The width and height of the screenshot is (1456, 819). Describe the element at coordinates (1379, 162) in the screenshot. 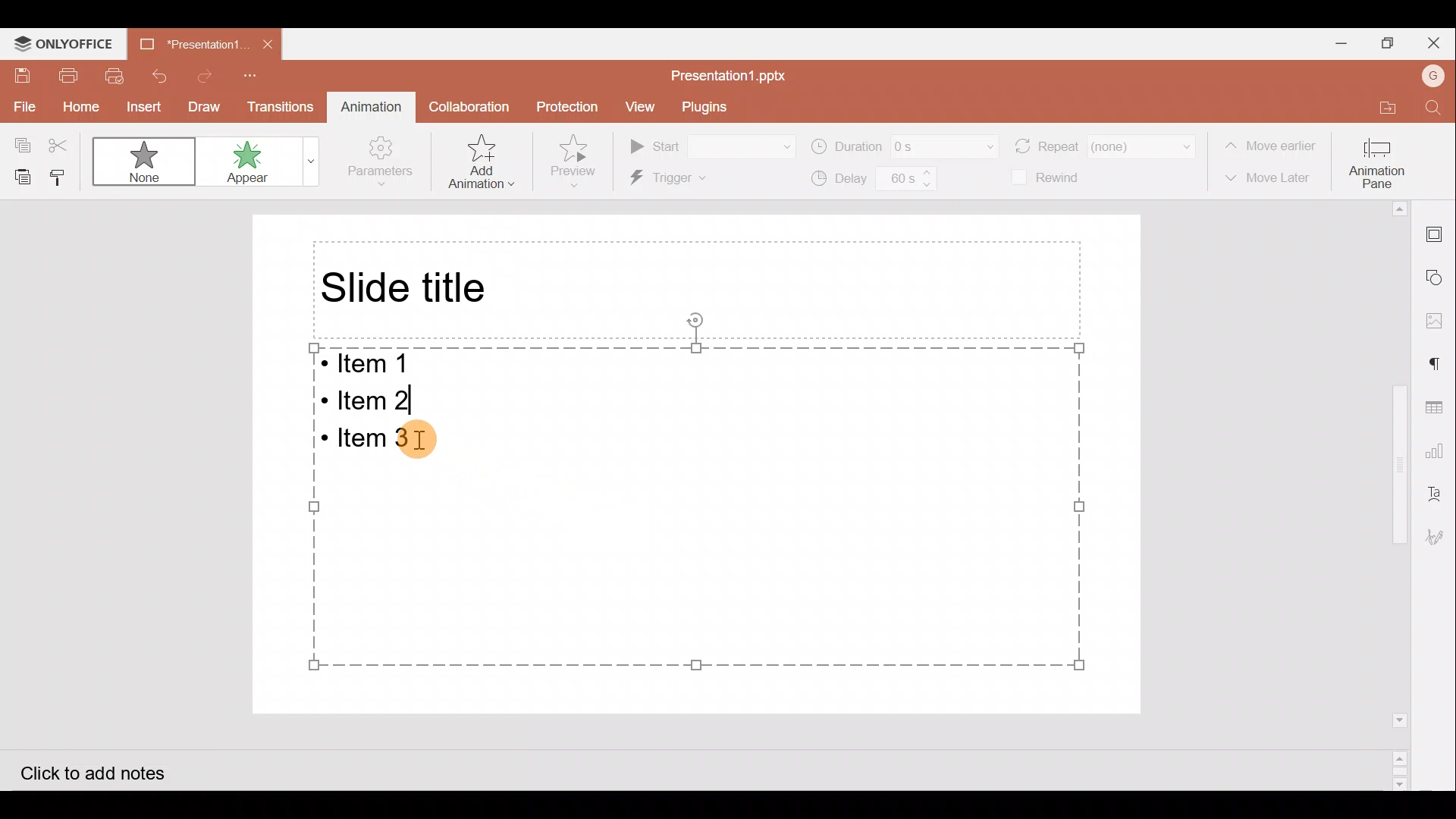

I see `Animation pane` at that location.